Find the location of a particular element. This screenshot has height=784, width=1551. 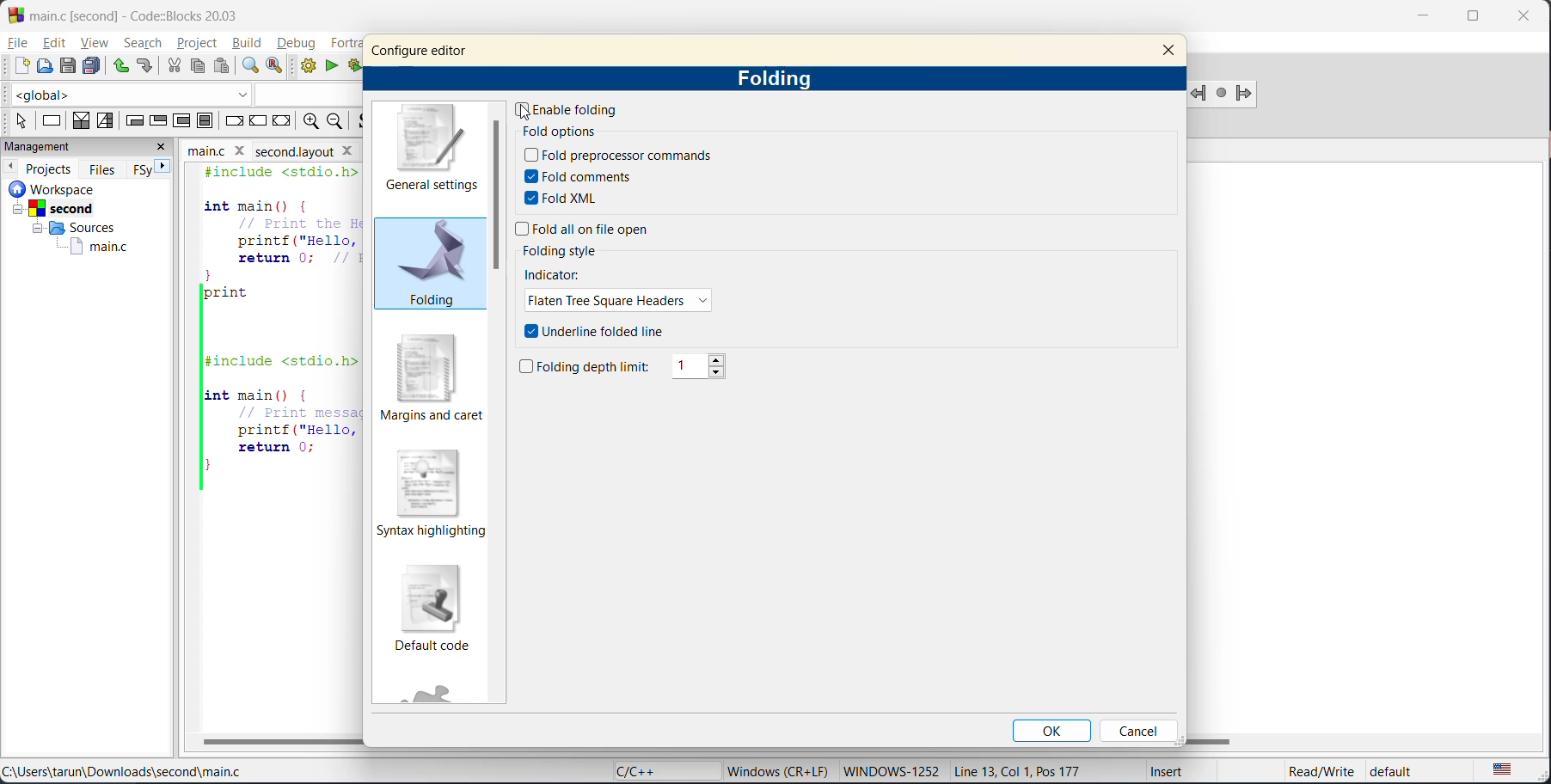

close is located at coordinates (165, 147).